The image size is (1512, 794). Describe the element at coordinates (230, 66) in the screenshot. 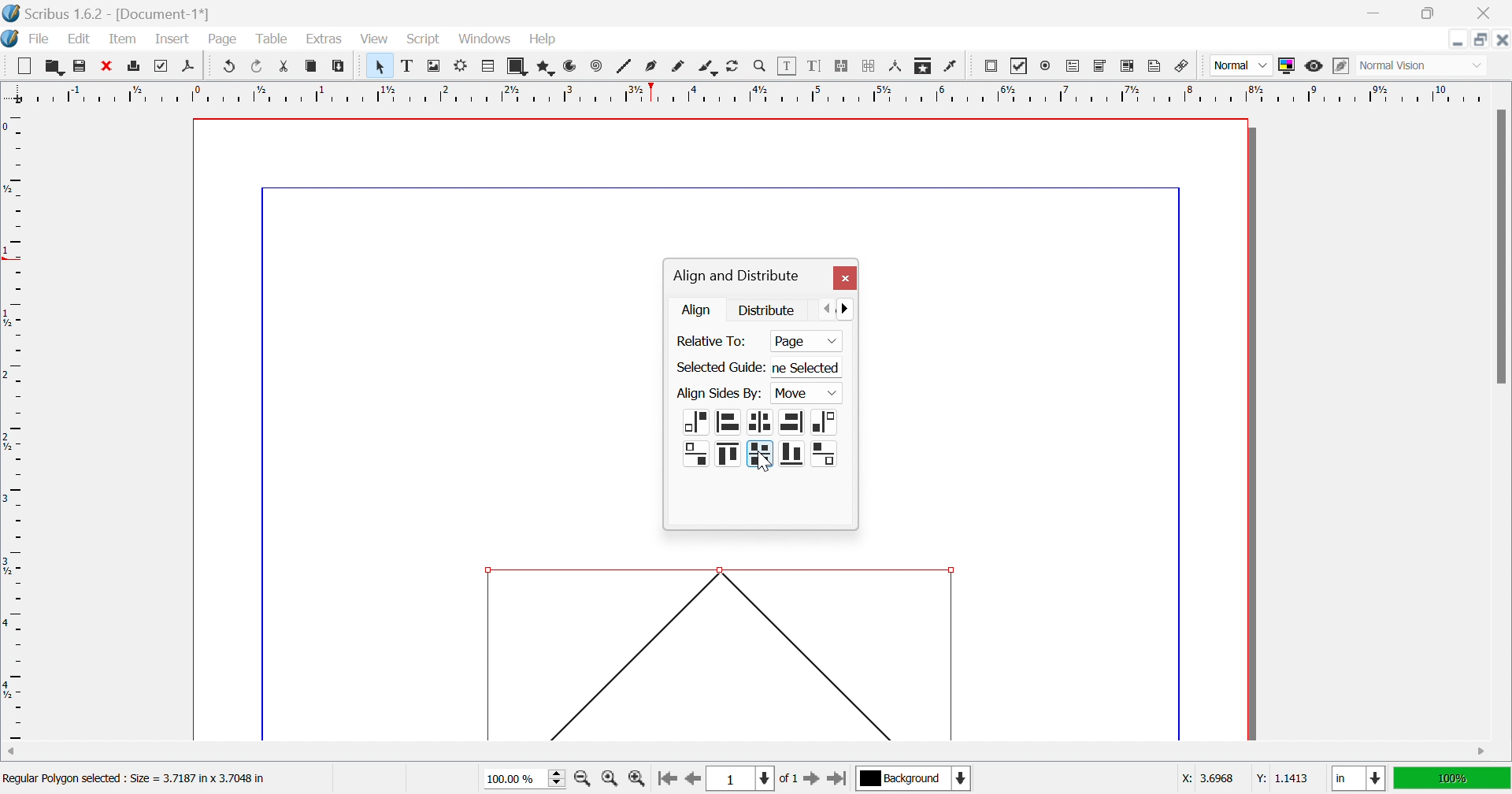

I see `Undo` at that location.